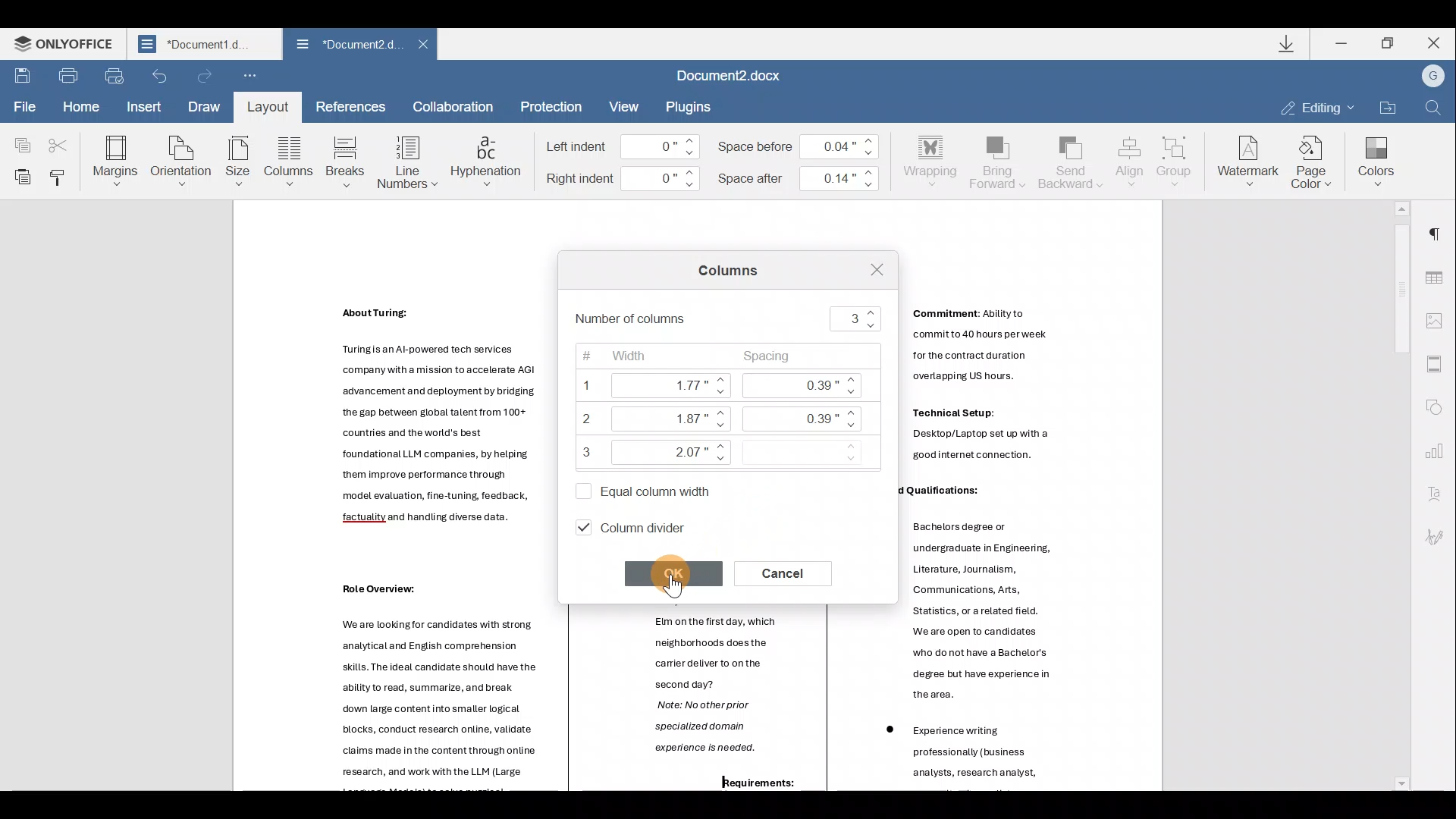 The image size is (1456, 819). I want to click on Document2.d, so click(347, 48).